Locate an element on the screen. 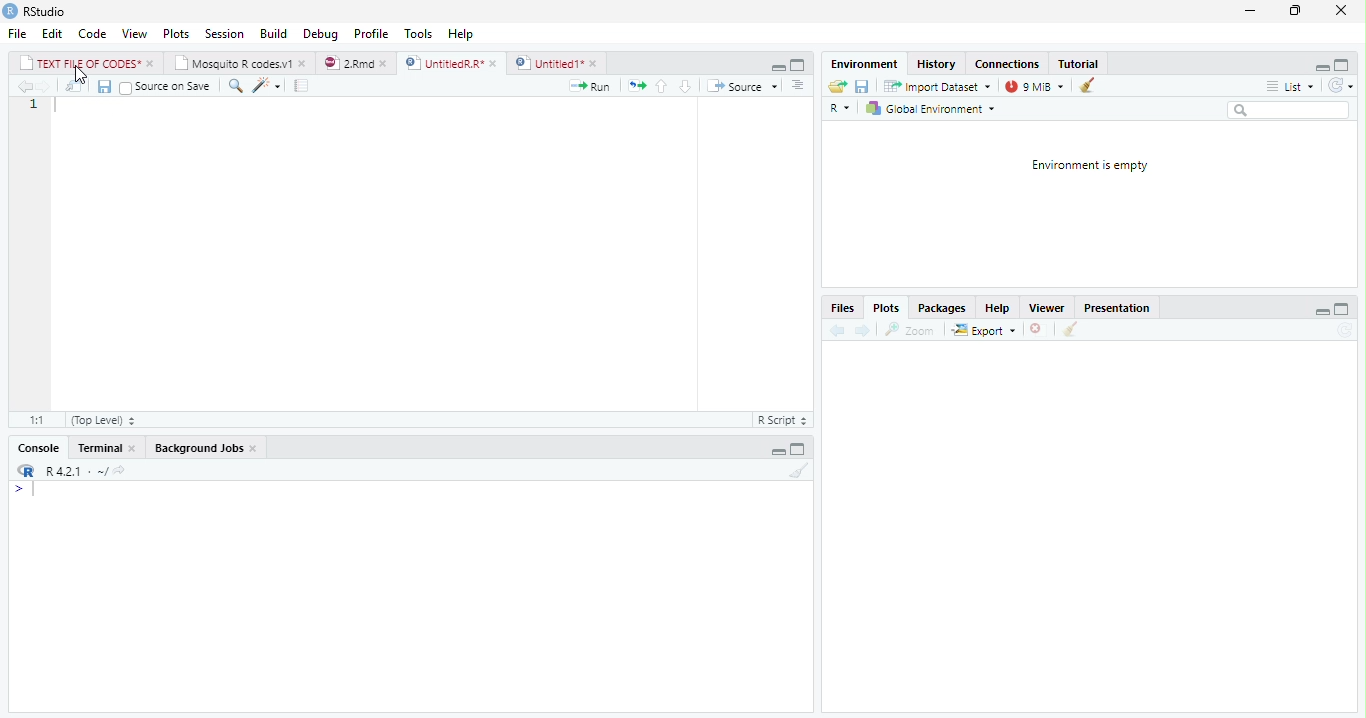  clear history is located at coordinates (1091, 86).